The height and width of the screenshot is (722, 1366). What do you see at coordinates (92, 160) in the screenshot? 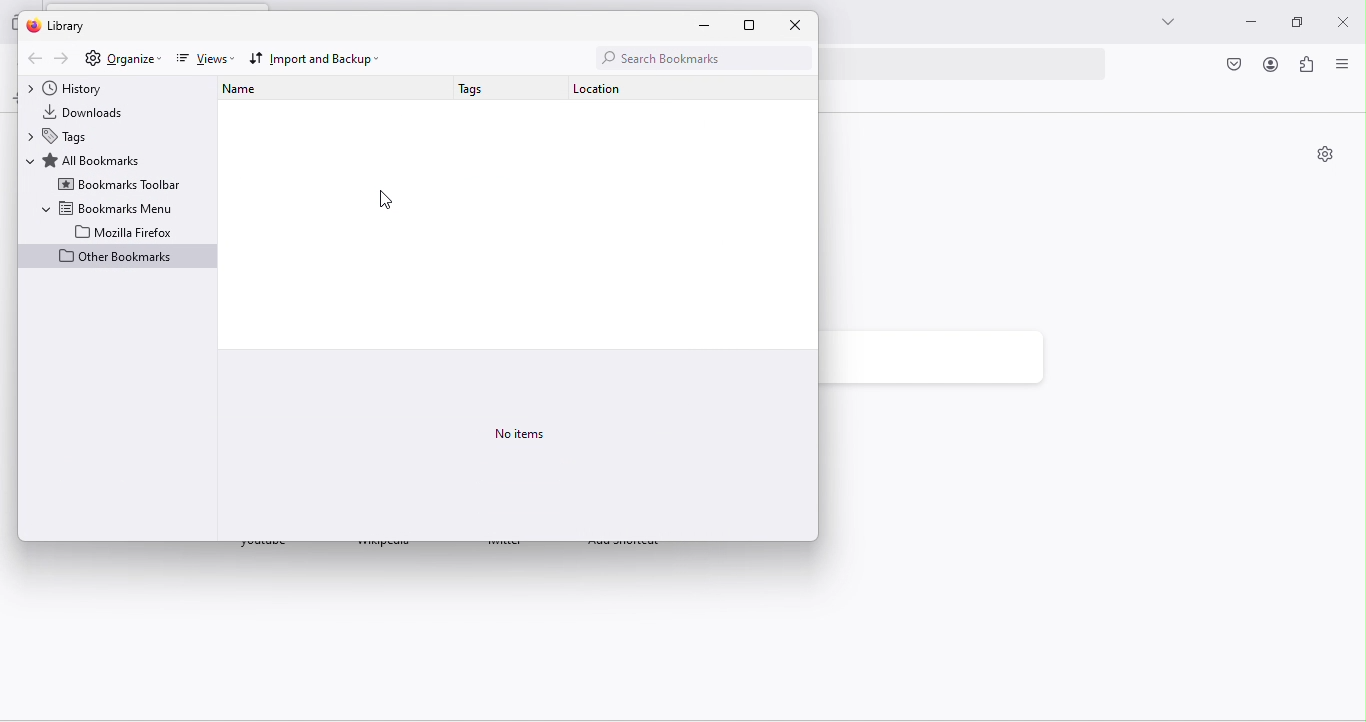
I see `all bookmarks` at bounding box center [92, 160].